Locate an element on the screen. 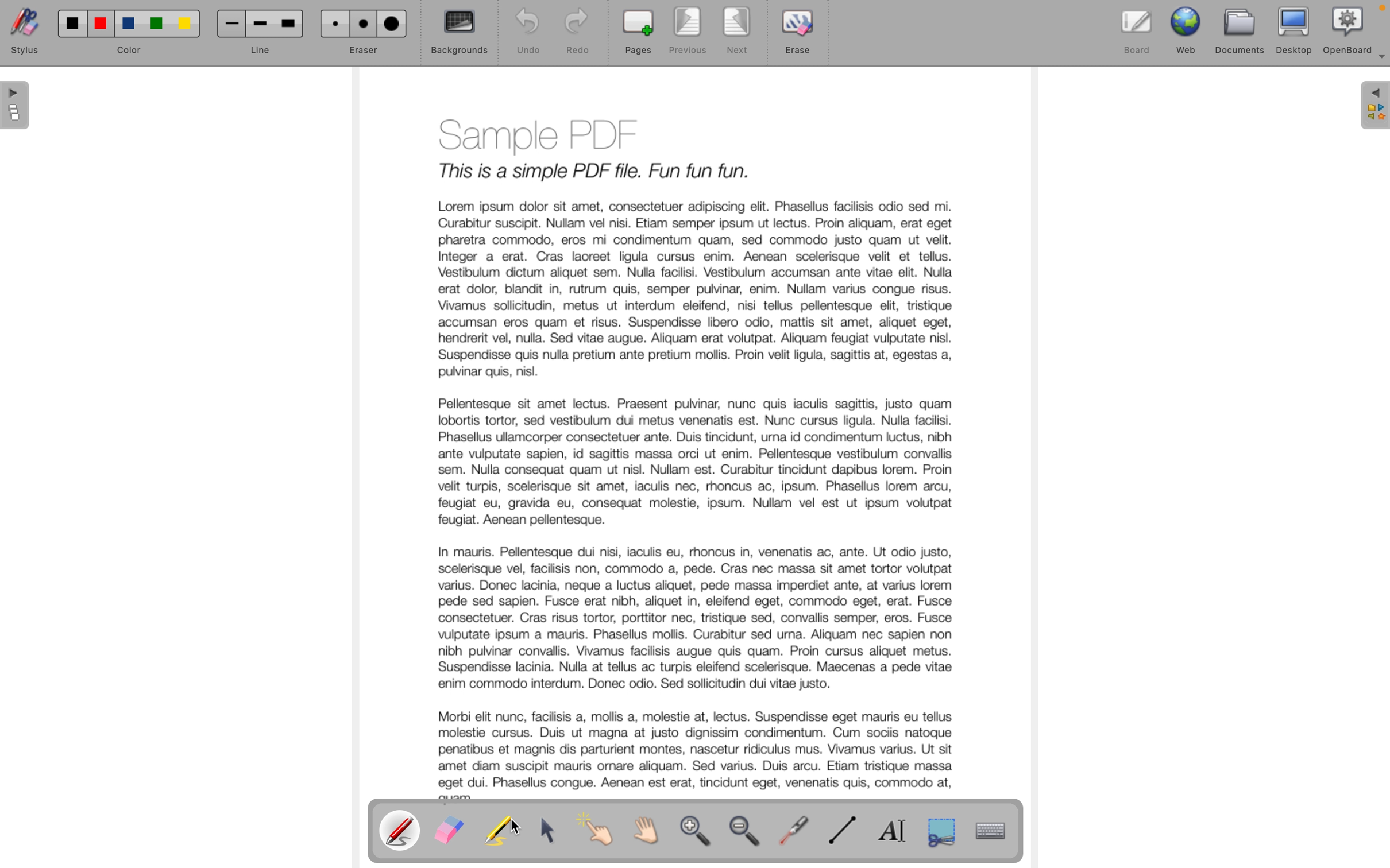 This screenshot has width=1390, height=868. scroll by hand is located at coordinates (653, 831).